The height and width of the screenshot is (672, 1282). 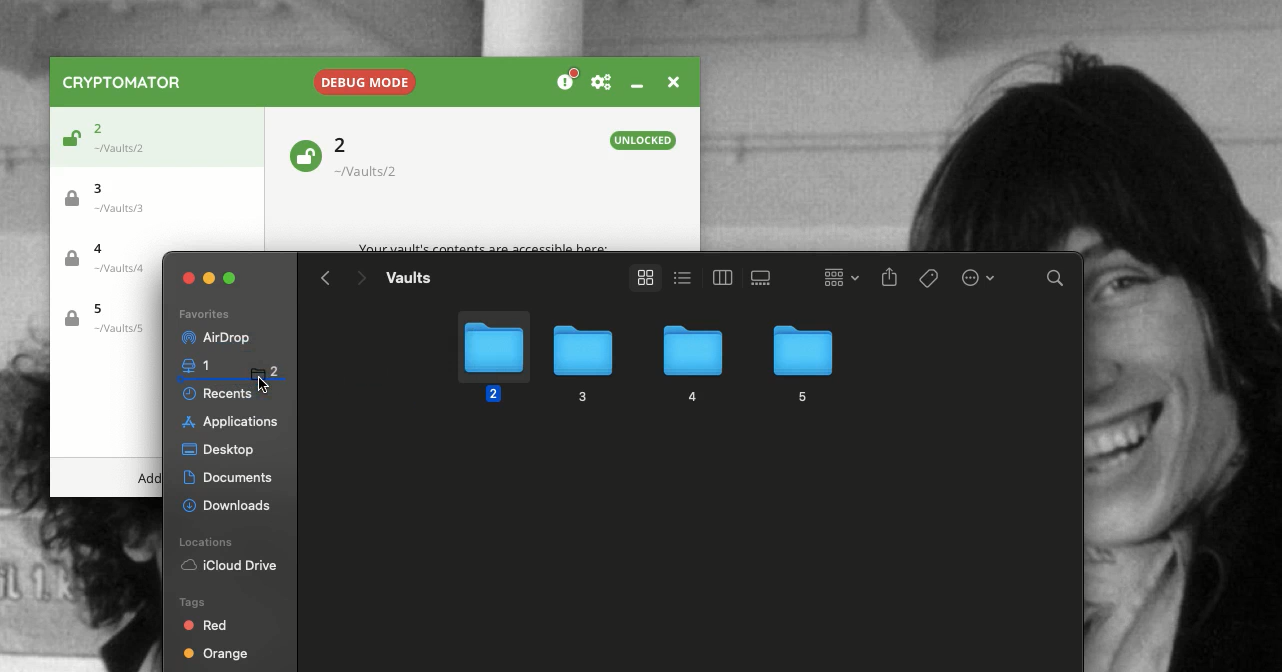 I want to click on Applications, so click(x=227, y=422).